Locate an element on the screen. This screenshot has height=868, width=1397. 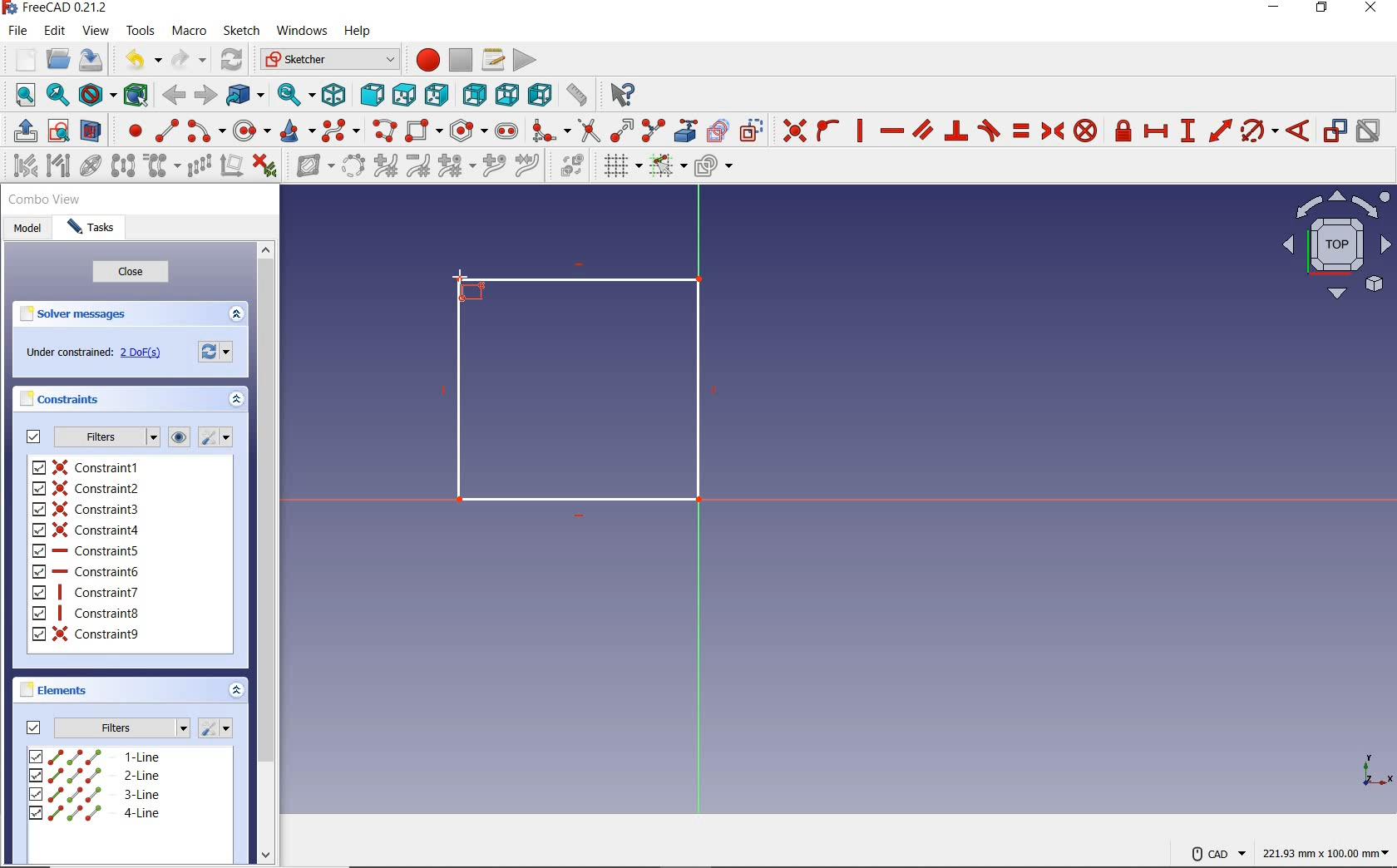
tasks is located at coordinates (93, 230).